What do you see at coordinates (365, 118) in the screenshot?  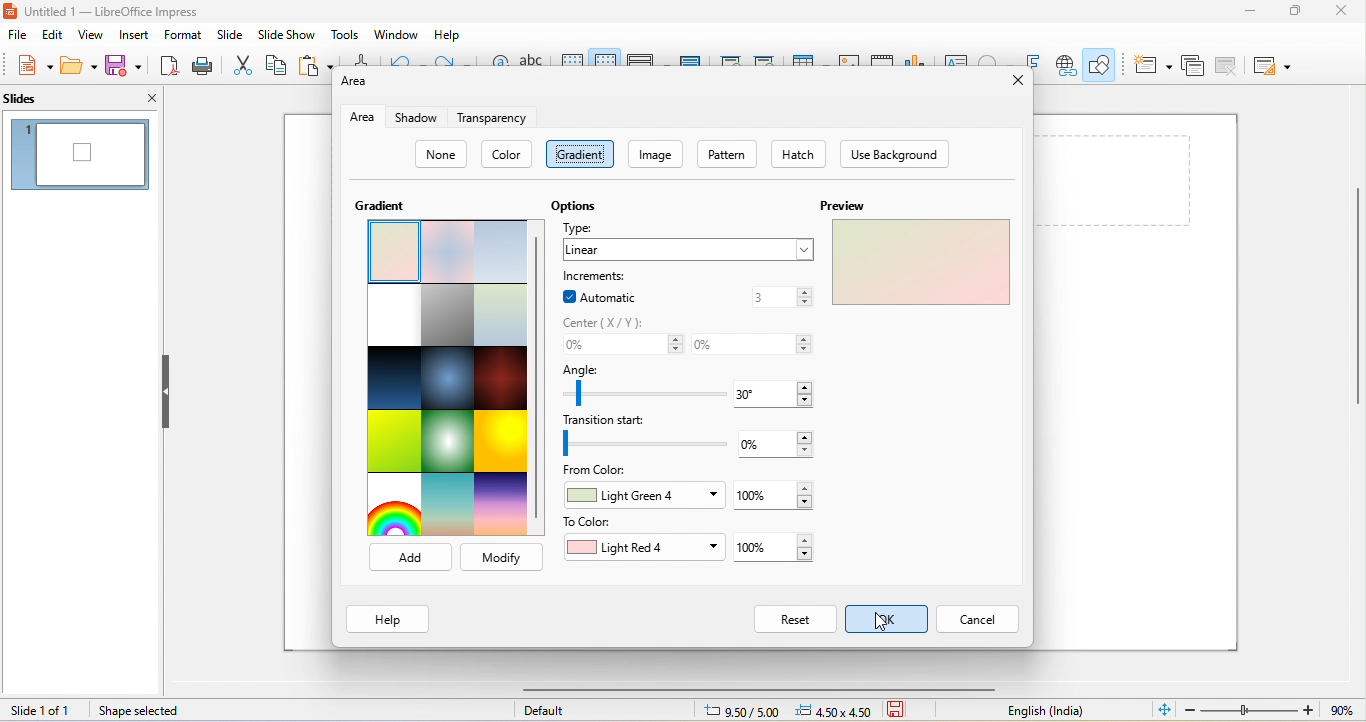 I see `area` at bounding box center [365, 118].